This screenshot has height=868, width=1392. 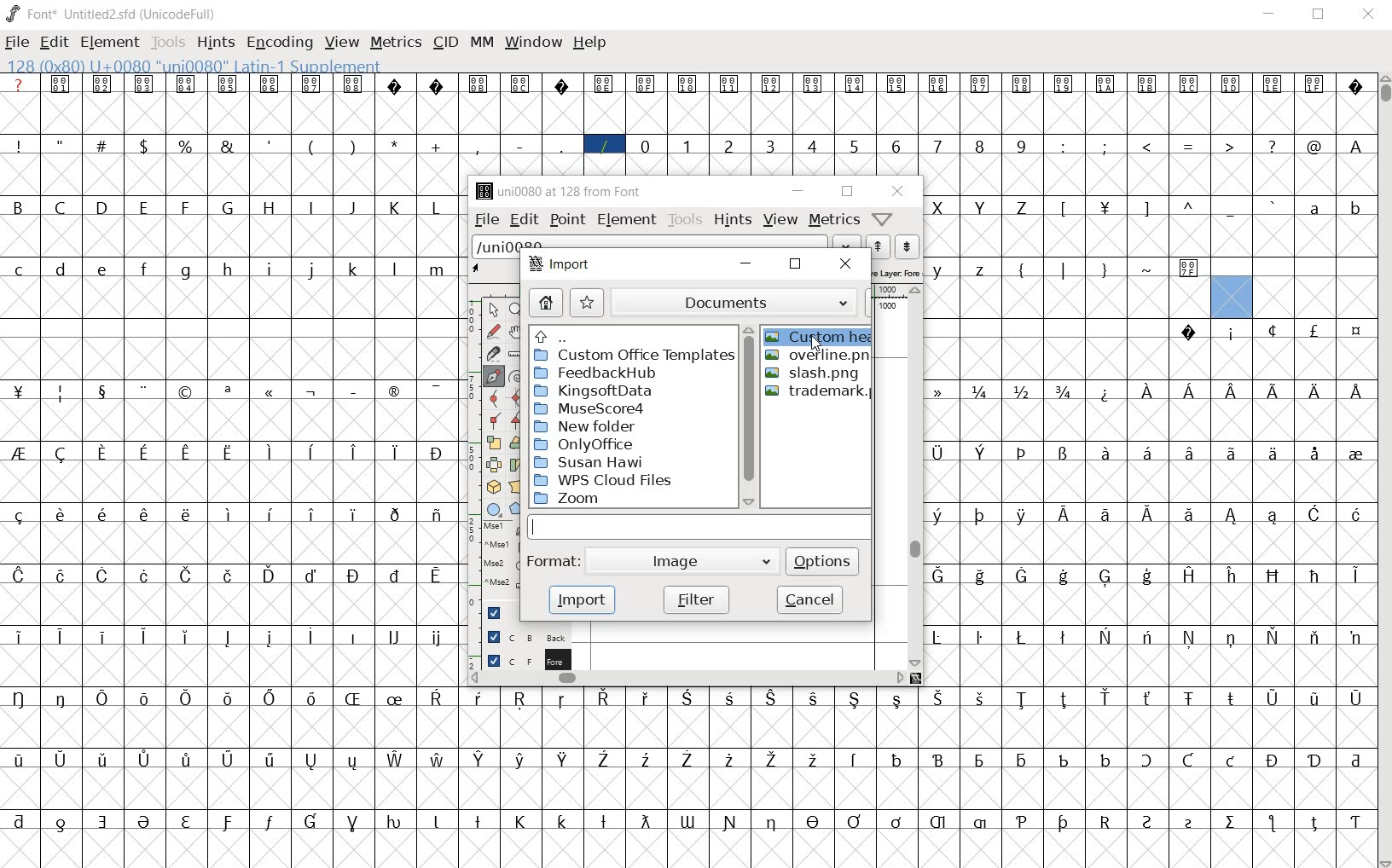 I want to click on glyph, so click(x=185, y=146).